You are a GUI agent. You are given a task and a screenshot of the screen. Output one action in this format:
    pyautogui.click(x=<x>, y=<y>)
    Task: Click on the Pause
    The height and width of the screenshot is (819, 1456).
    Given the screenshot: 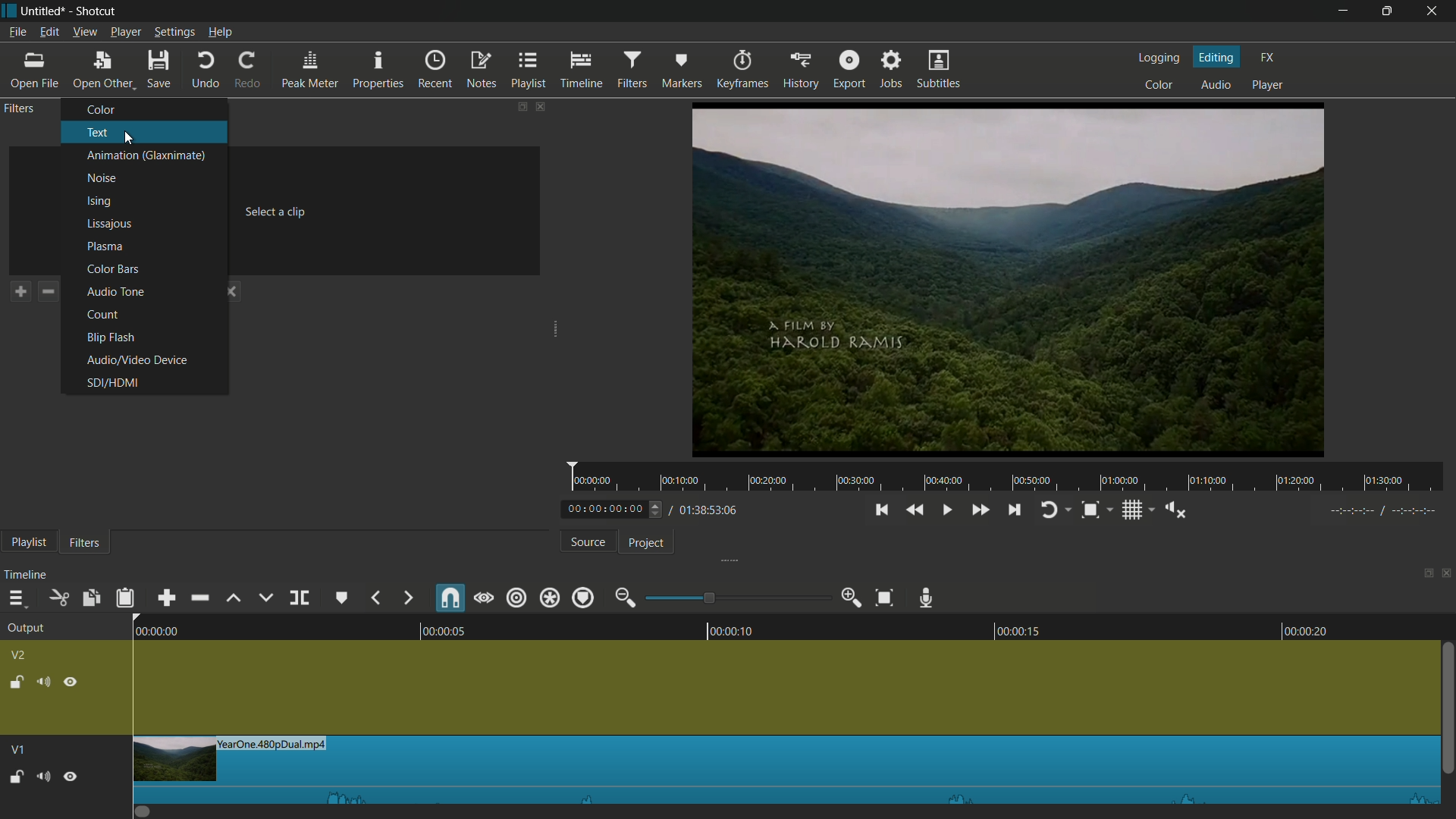 What is the action you would take?
    pyautogui.click(x=71, y=775)
    